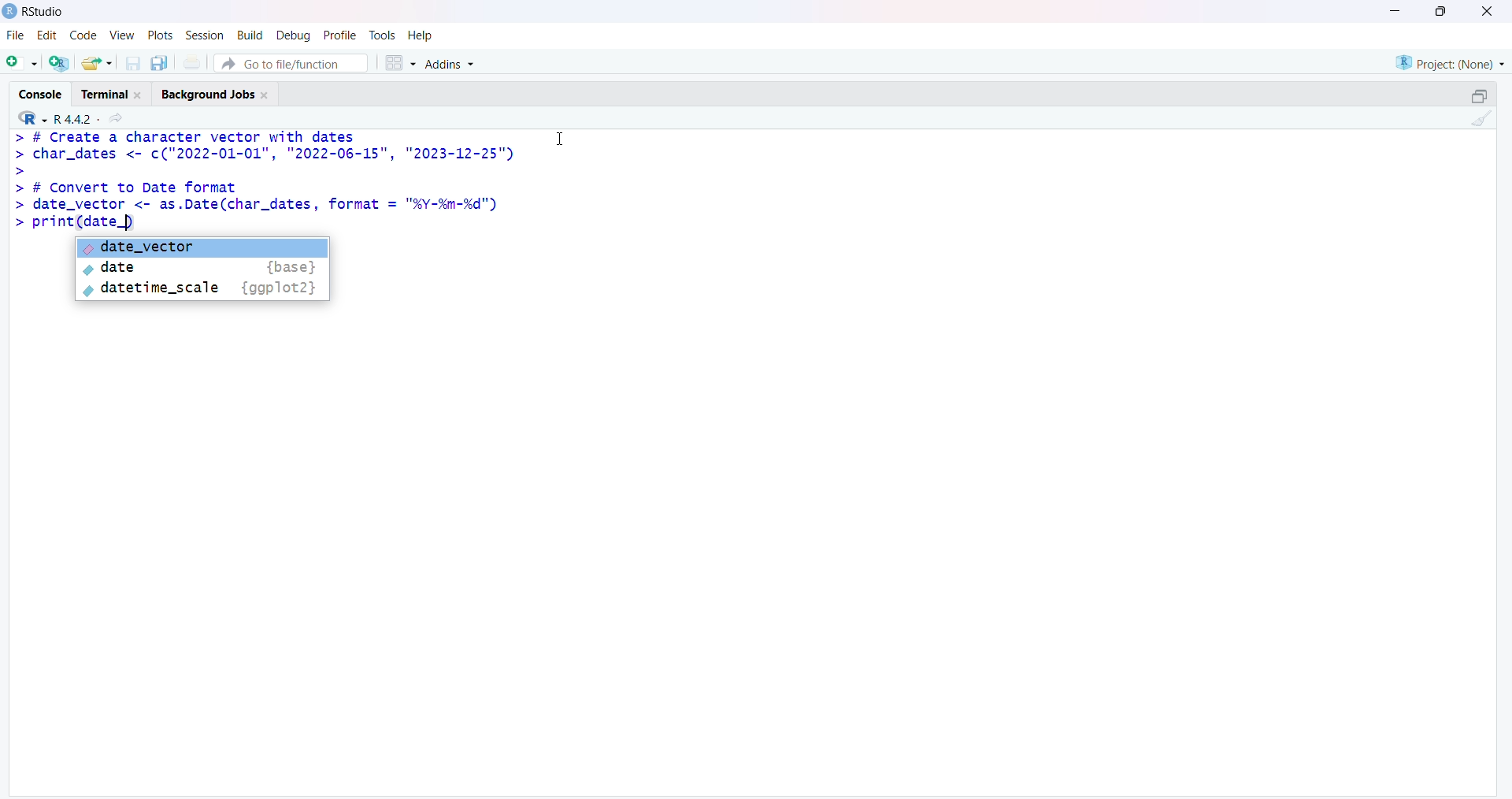  Describe the element at coordinates (71, 117) in the screenshot. I see `R.4.2.2` at that location.